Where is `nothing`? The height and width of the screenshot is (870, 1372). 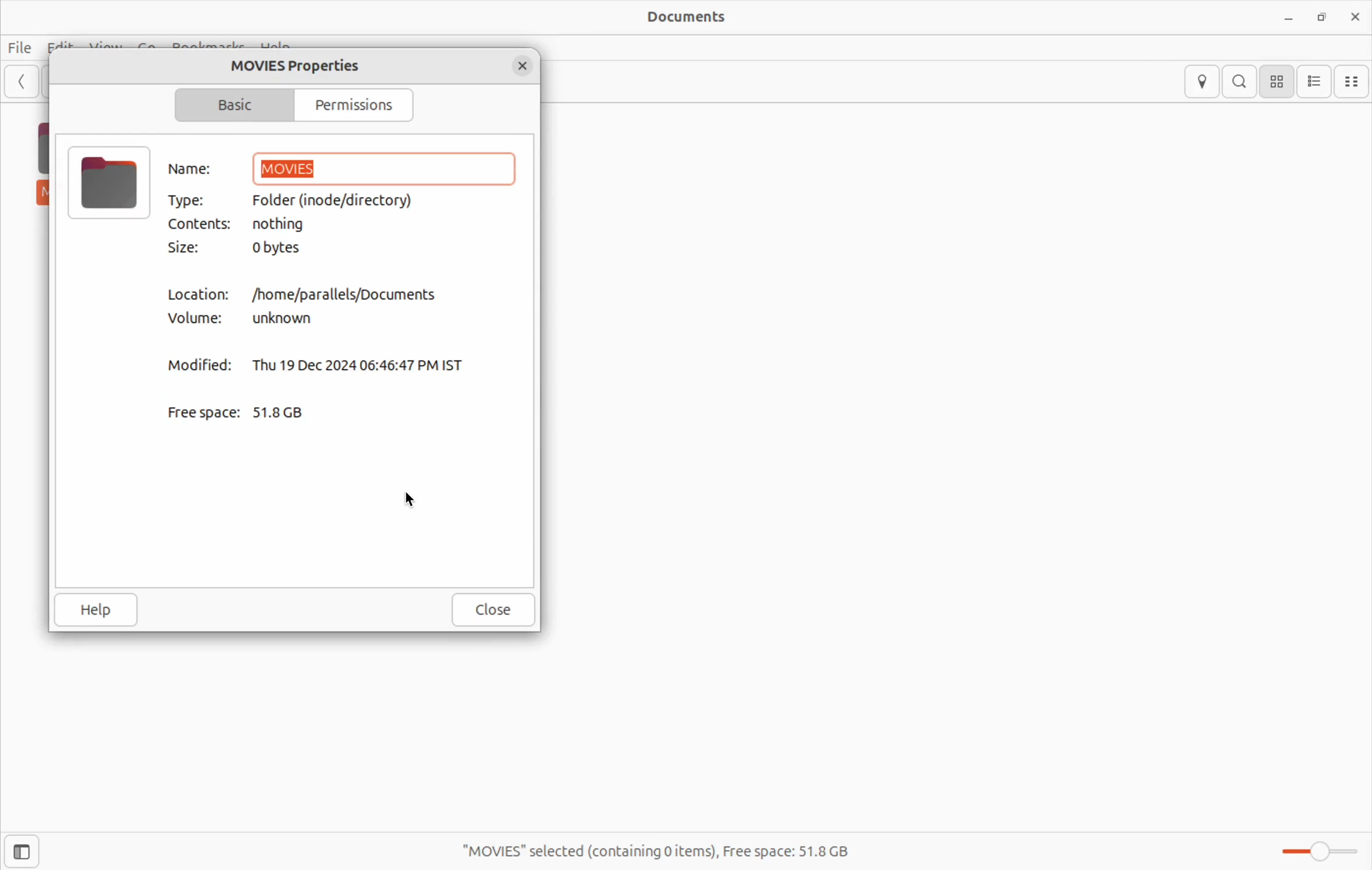
nothing is located at coordinates (293, 226).